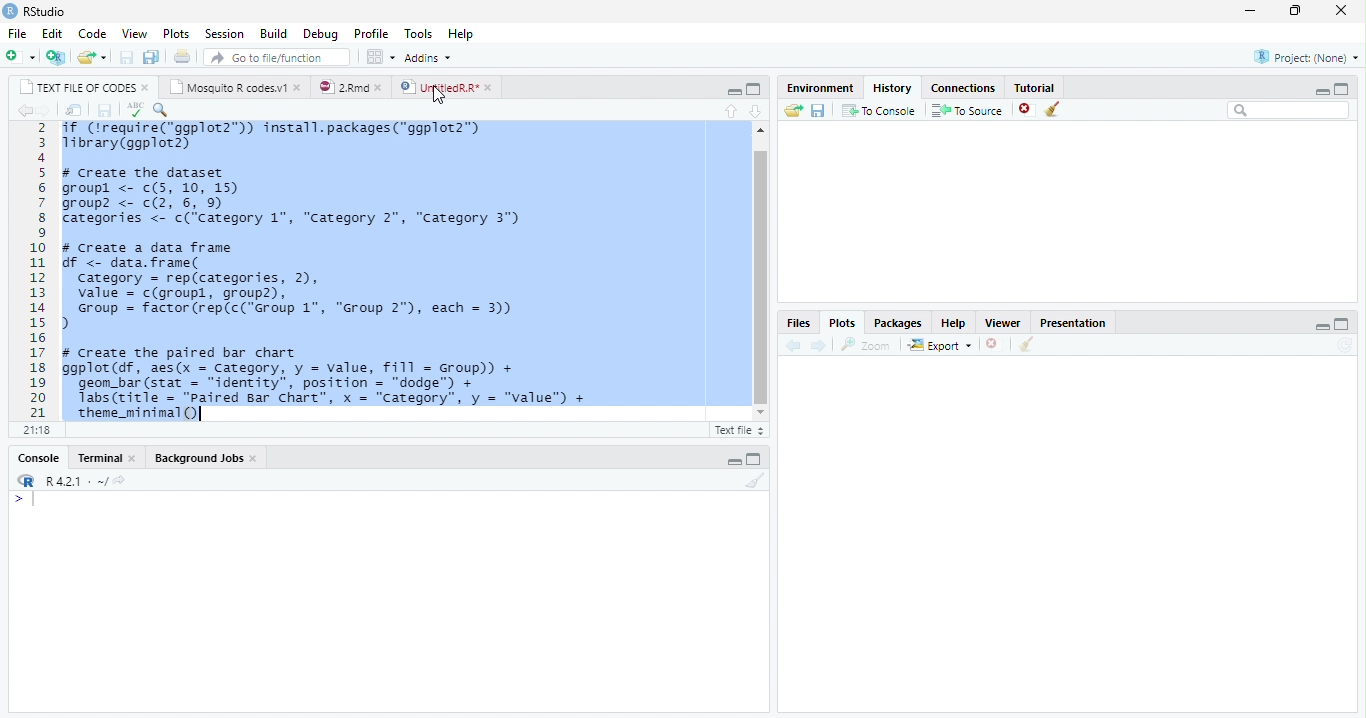 This screenshot has width=1366, height=718. Describe the element at coordinates (1295, 11) in the screenshot. I see `maximize` at that location.